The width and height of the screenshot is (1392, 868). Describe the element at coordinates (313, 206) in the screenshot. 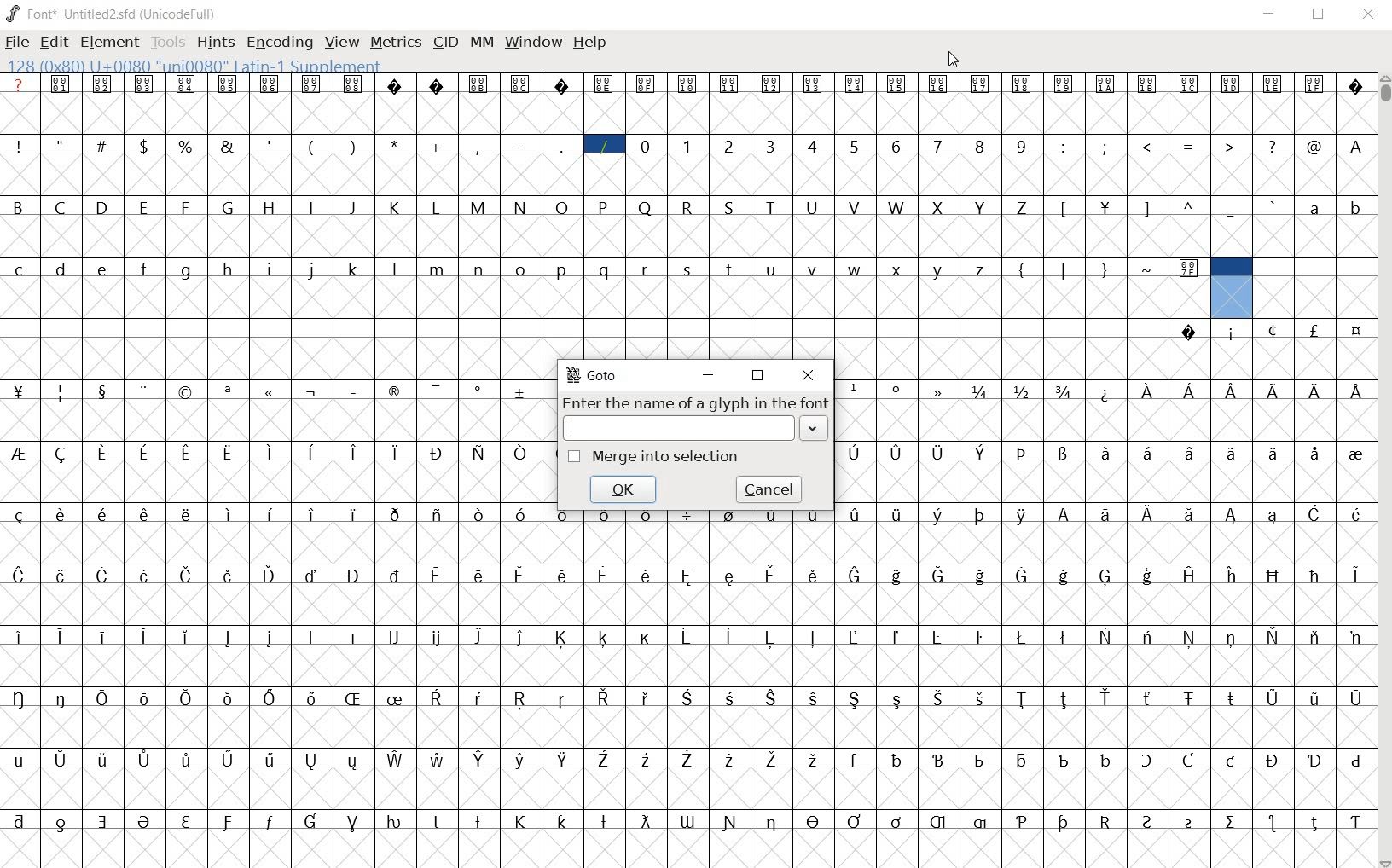

I see `I` at that location.